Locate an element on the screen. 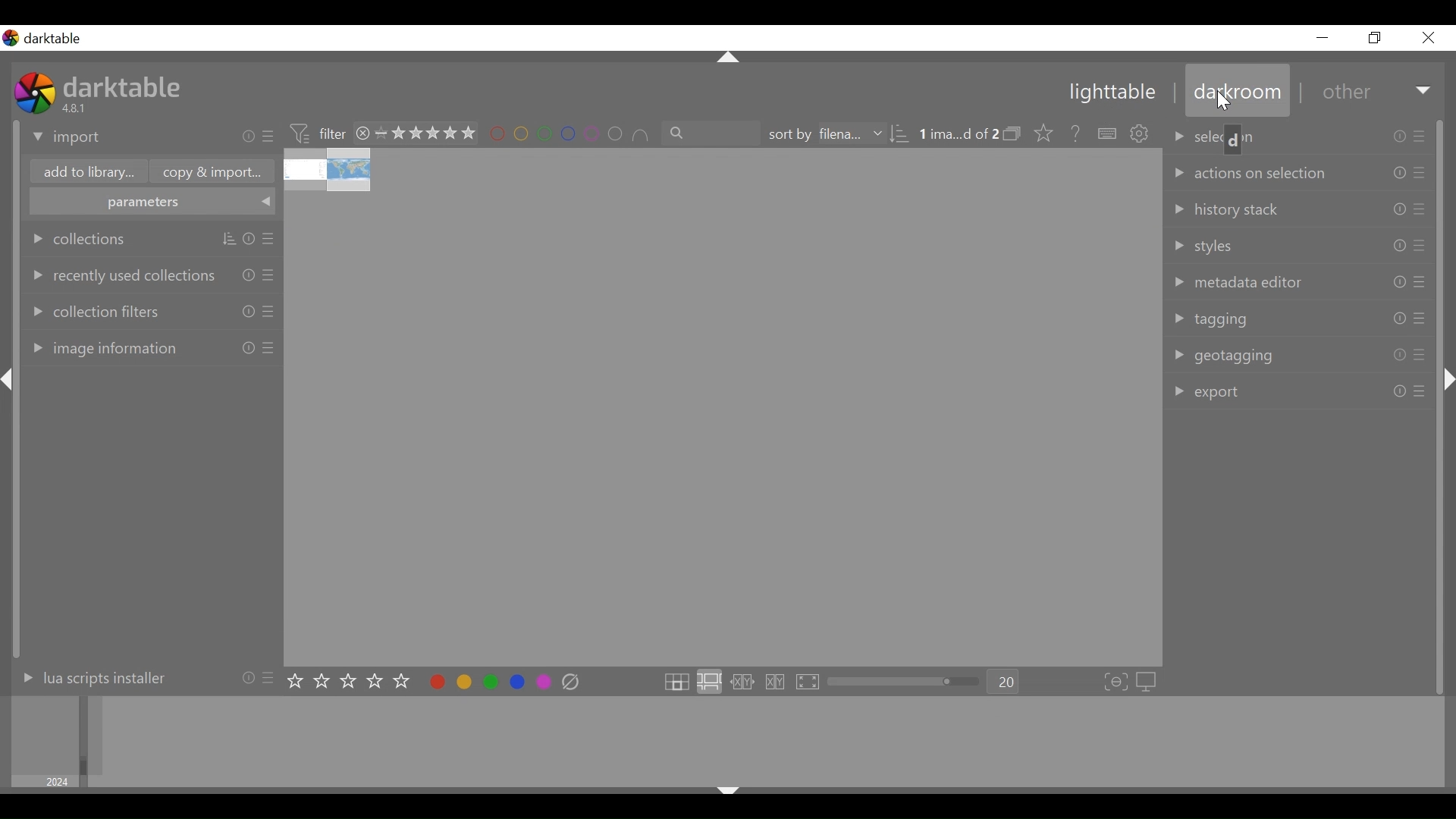 The height and width of the screenshot is (819, 1456). collection filters is located at coordinates (96, 312).